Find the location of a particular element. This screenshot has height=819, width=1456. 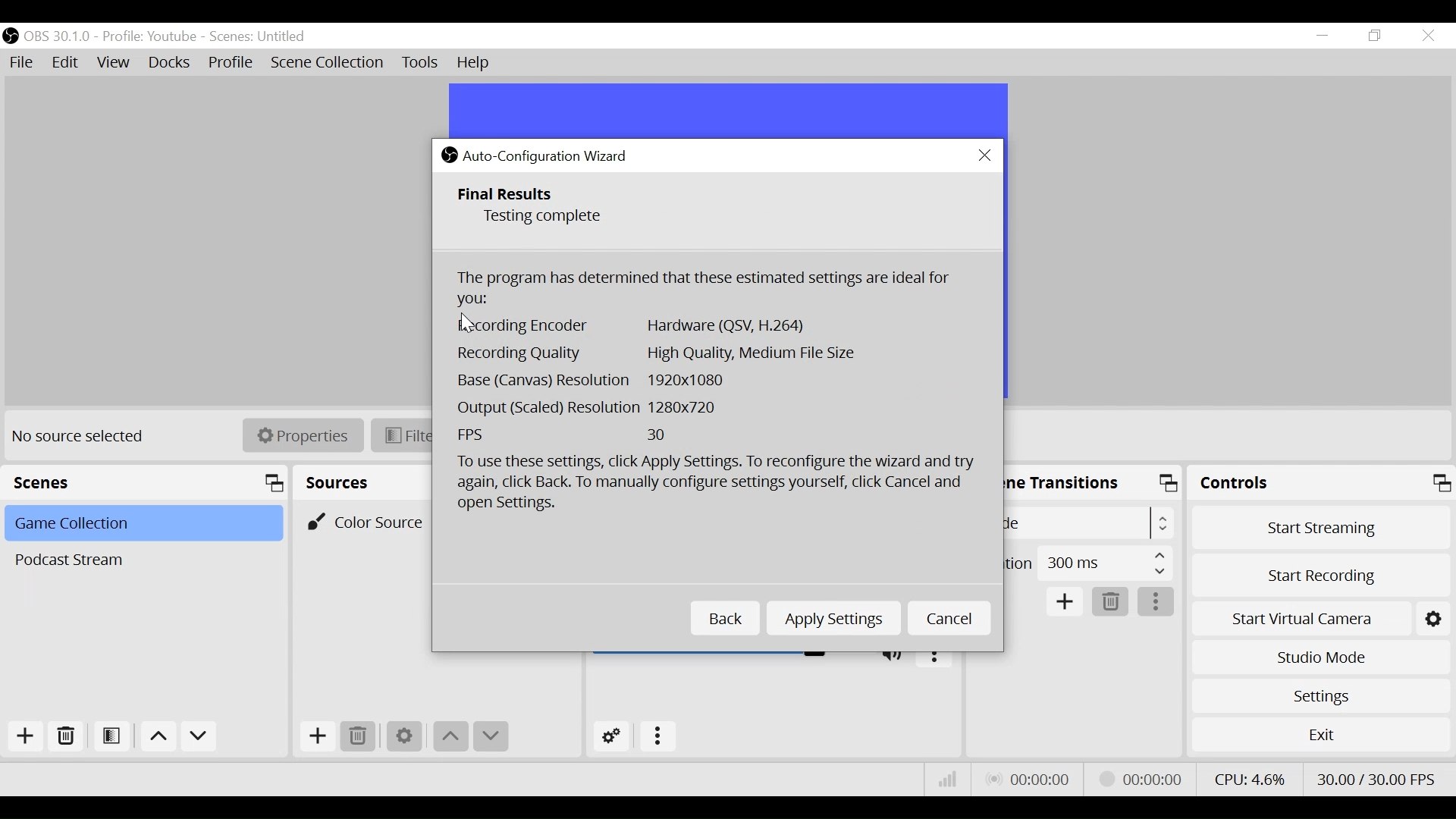

Edit is located at coordinates (67, 64).